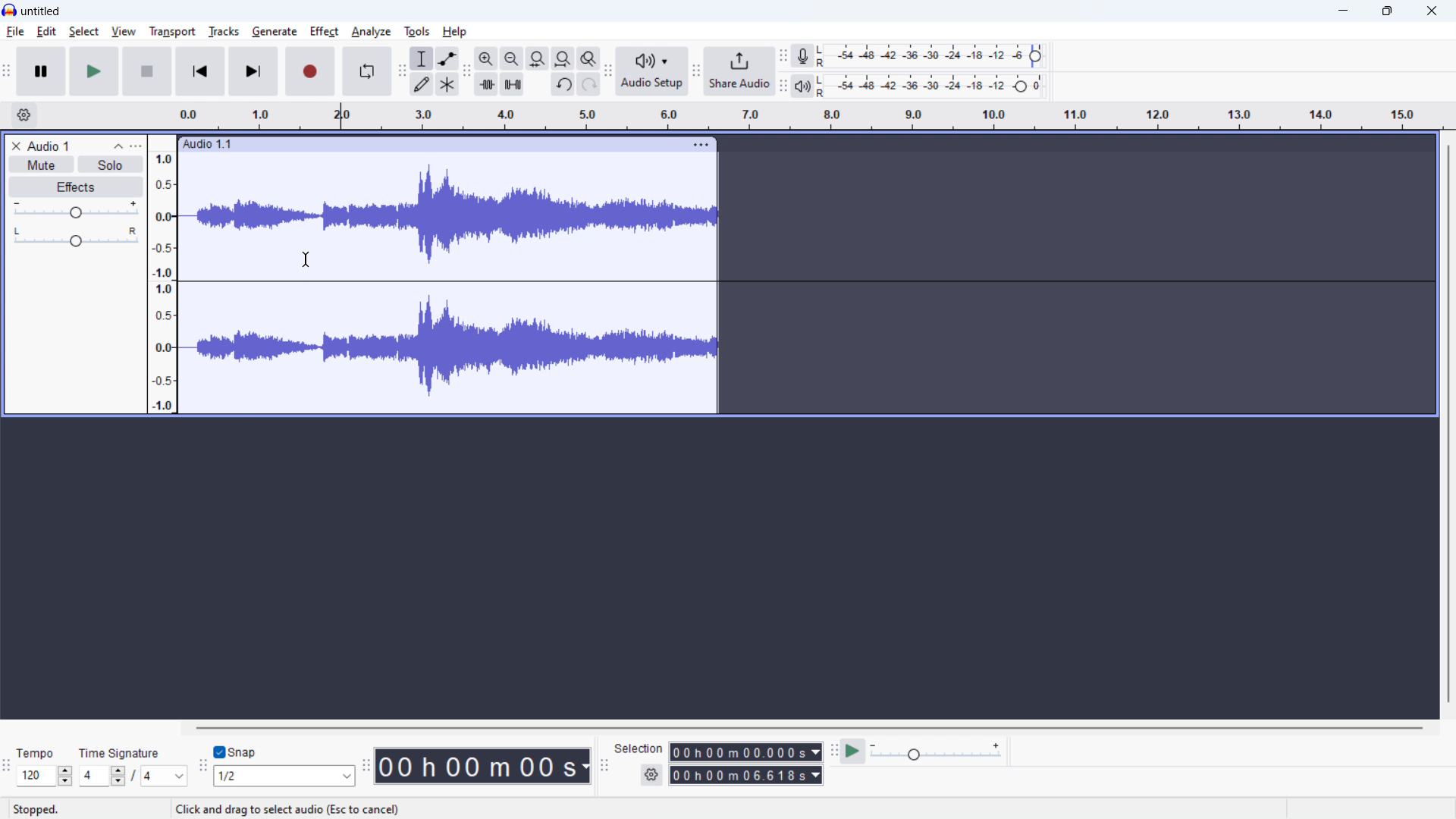 The width and height of the screenshot is (1456, 819). Describe the element at coordinates (447, 282) in the screenshot. I see `track waveform` at that location.